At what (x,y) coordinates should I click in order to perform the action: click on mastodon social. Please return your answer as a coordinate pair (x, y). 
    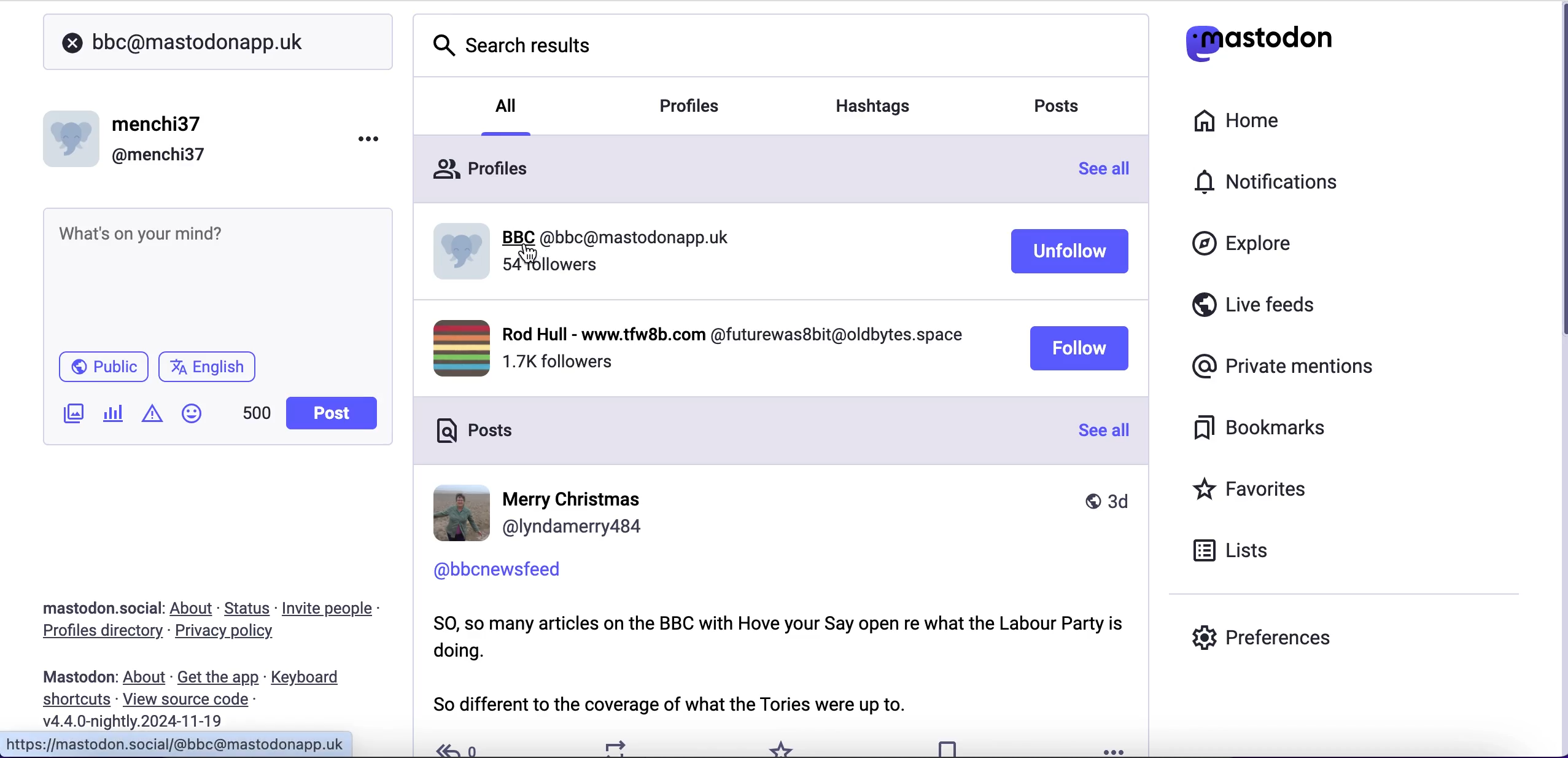
    Looking at the image, I should click on (86, 609).